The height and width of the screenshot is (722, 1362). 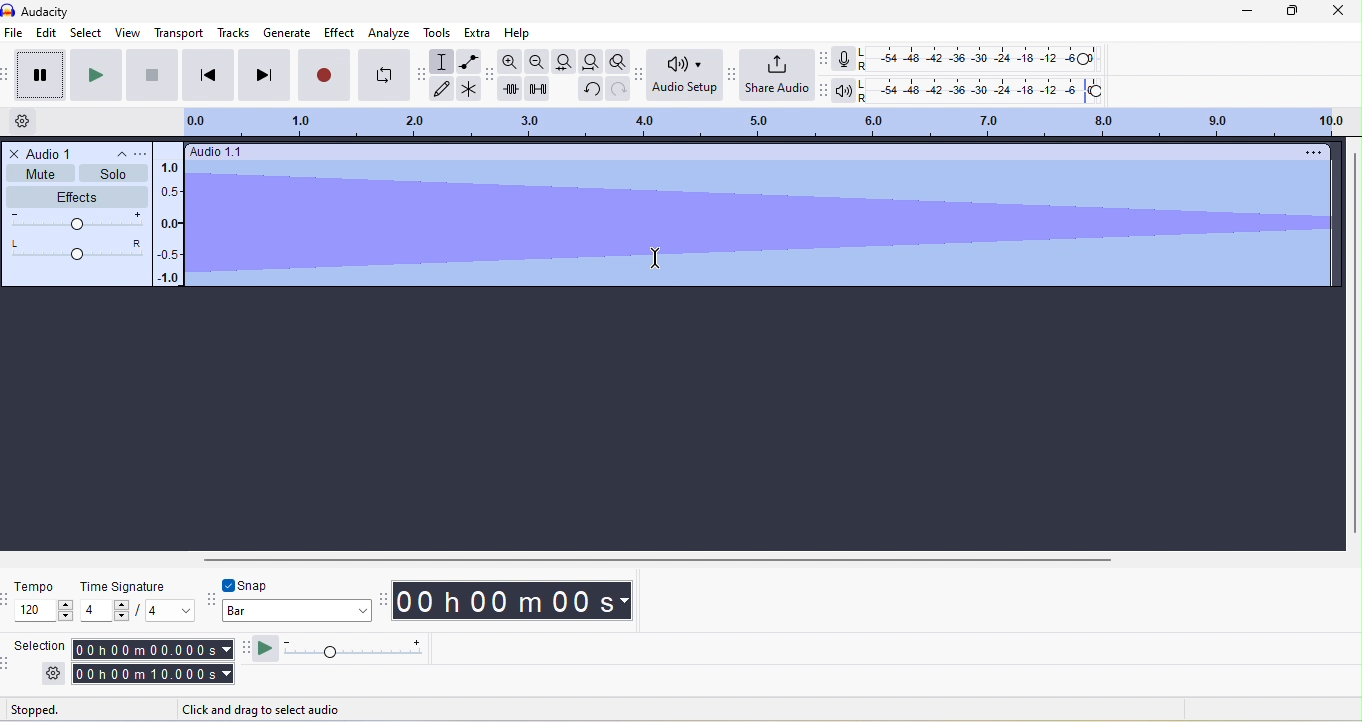 I want to click on selection, so click(x=39, y=645).